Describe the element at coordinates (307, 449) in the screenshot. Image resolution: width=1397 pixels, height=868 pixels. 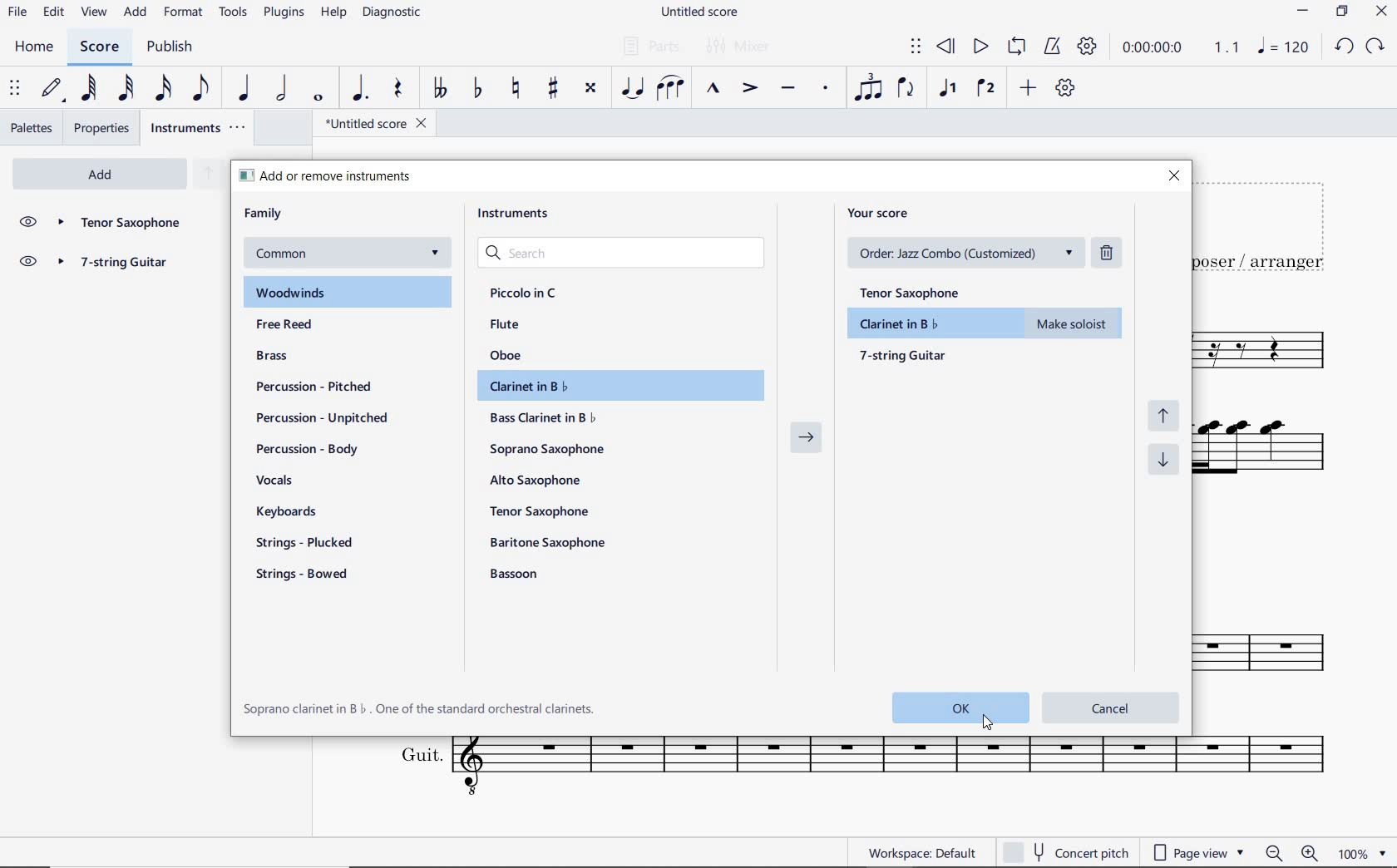
I see `percussion - body` at that location.